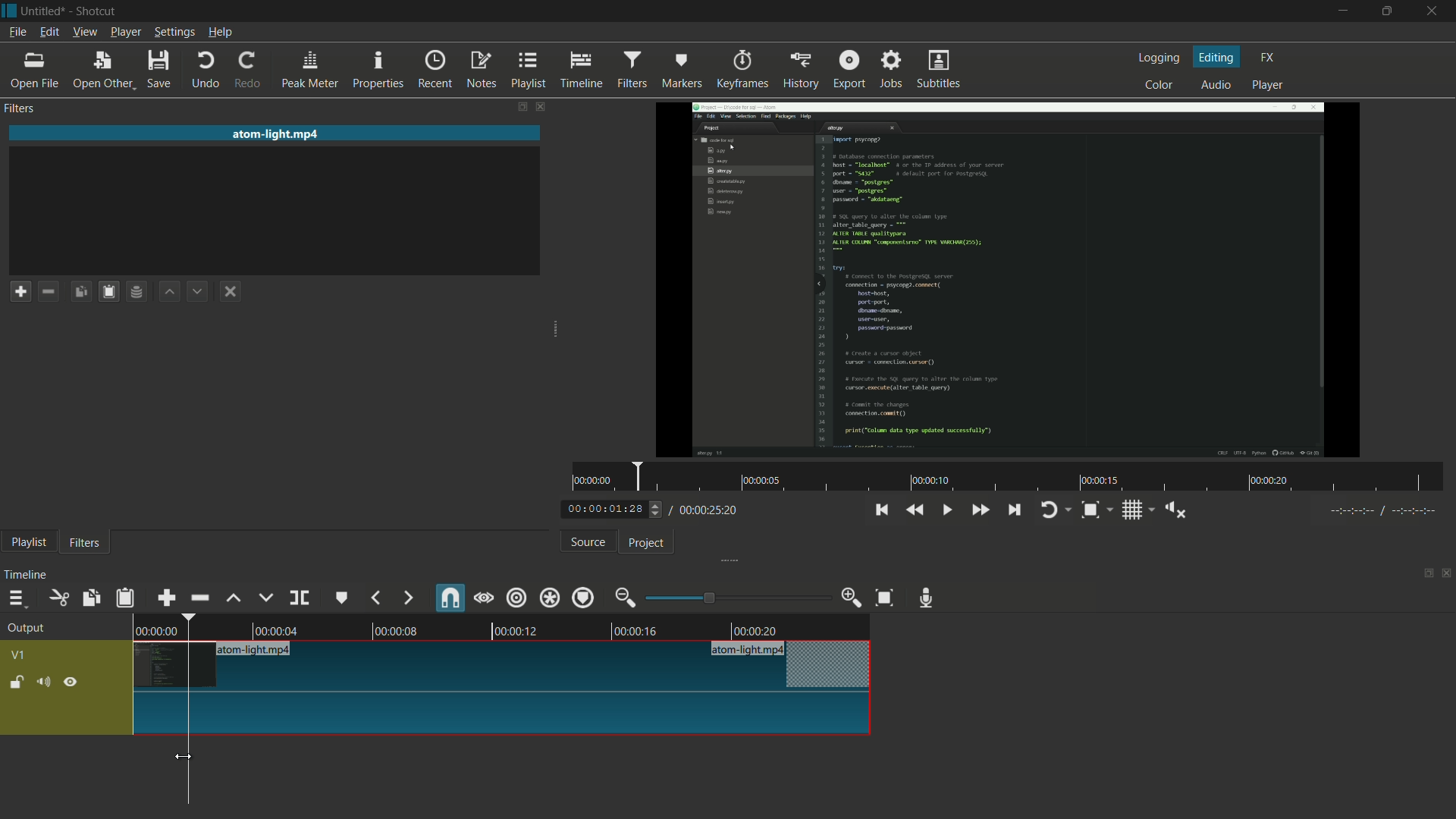  Describe the element at coordinates (529, 71) in the screenshot. I see `playlist` at that location.